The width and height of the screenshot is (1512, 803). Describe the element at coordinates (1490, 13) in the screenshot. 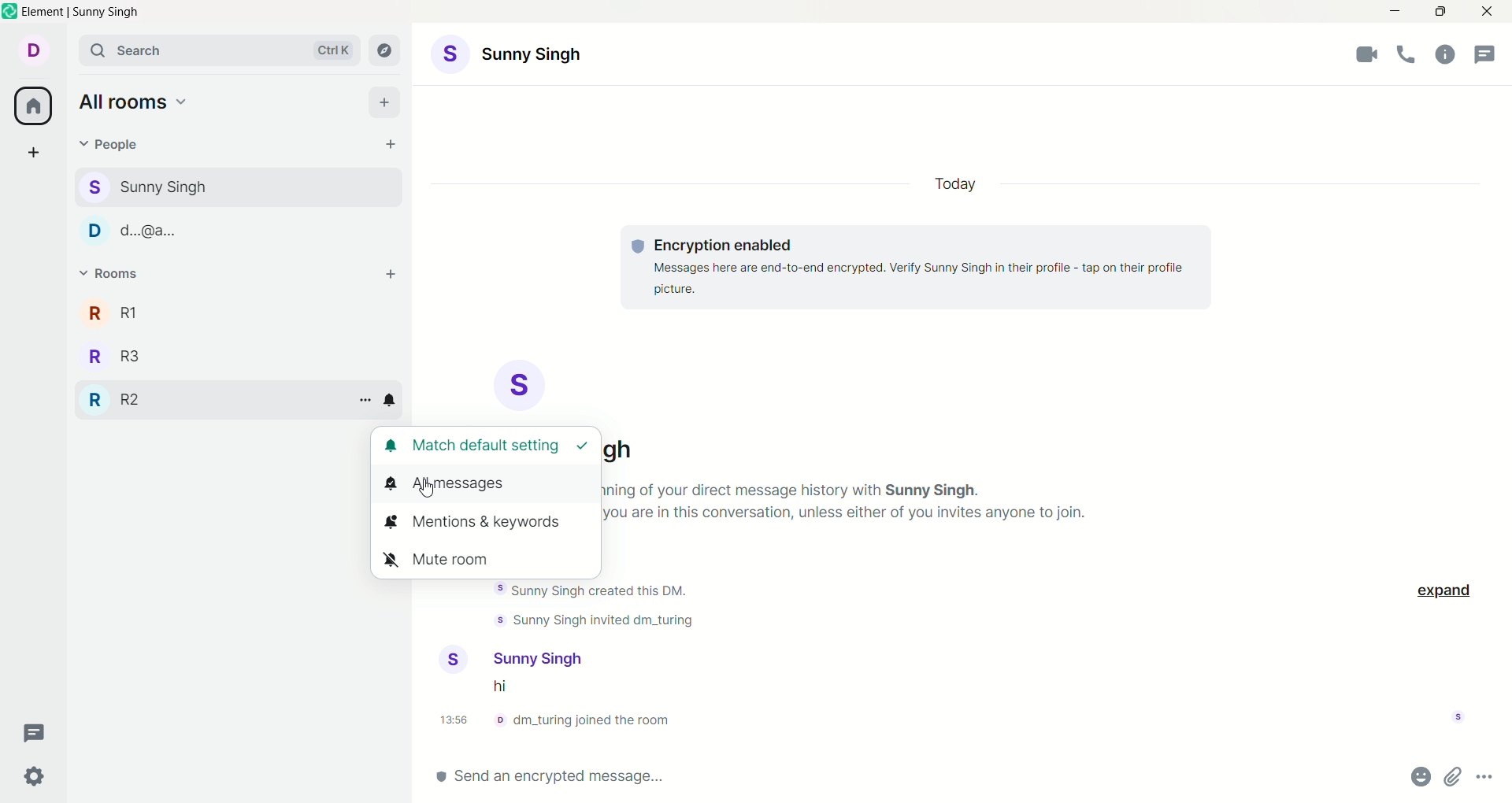

I see `close` at that location.